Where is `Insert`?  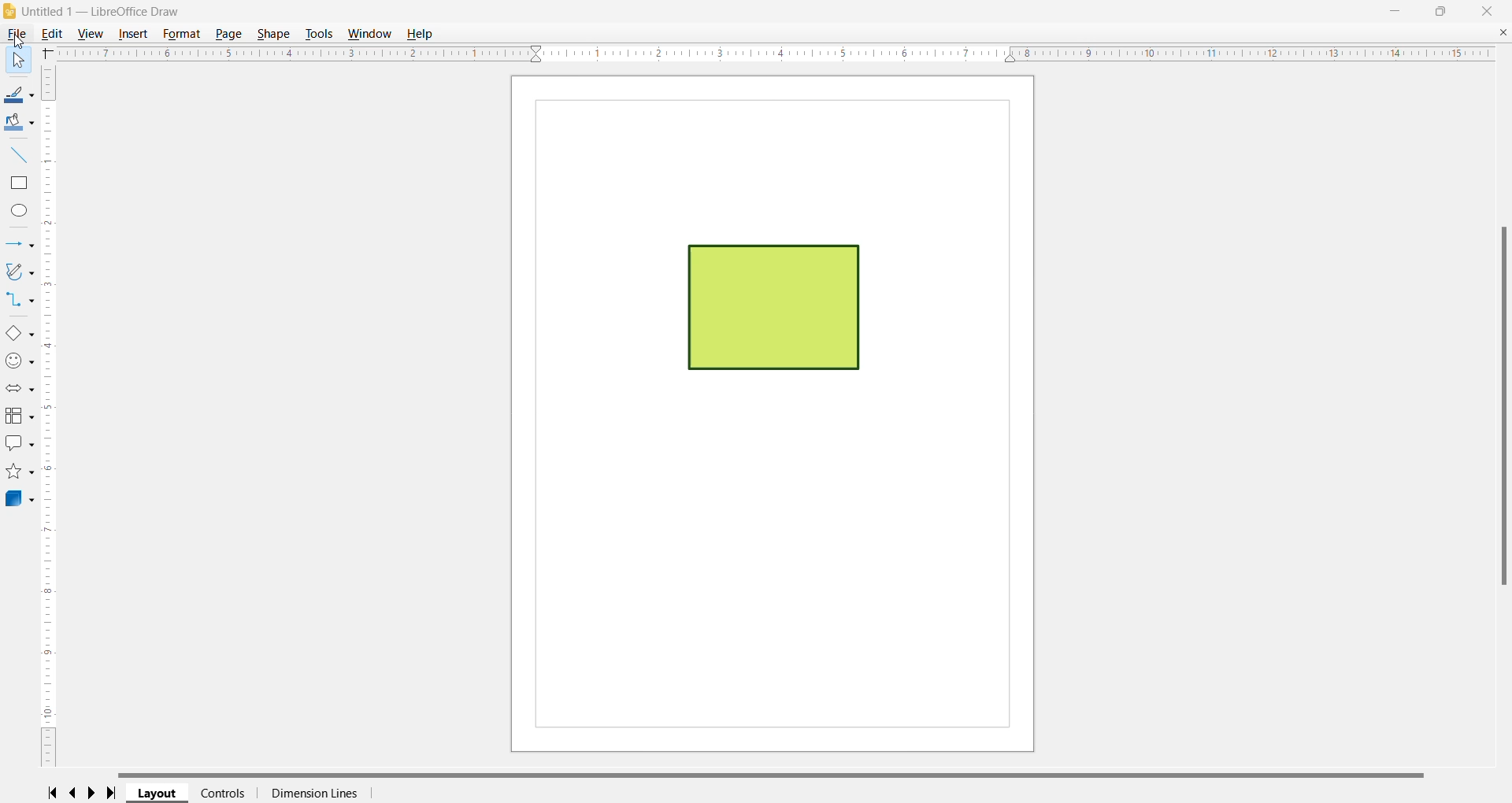 Insert is located at coordinates (134, 34).